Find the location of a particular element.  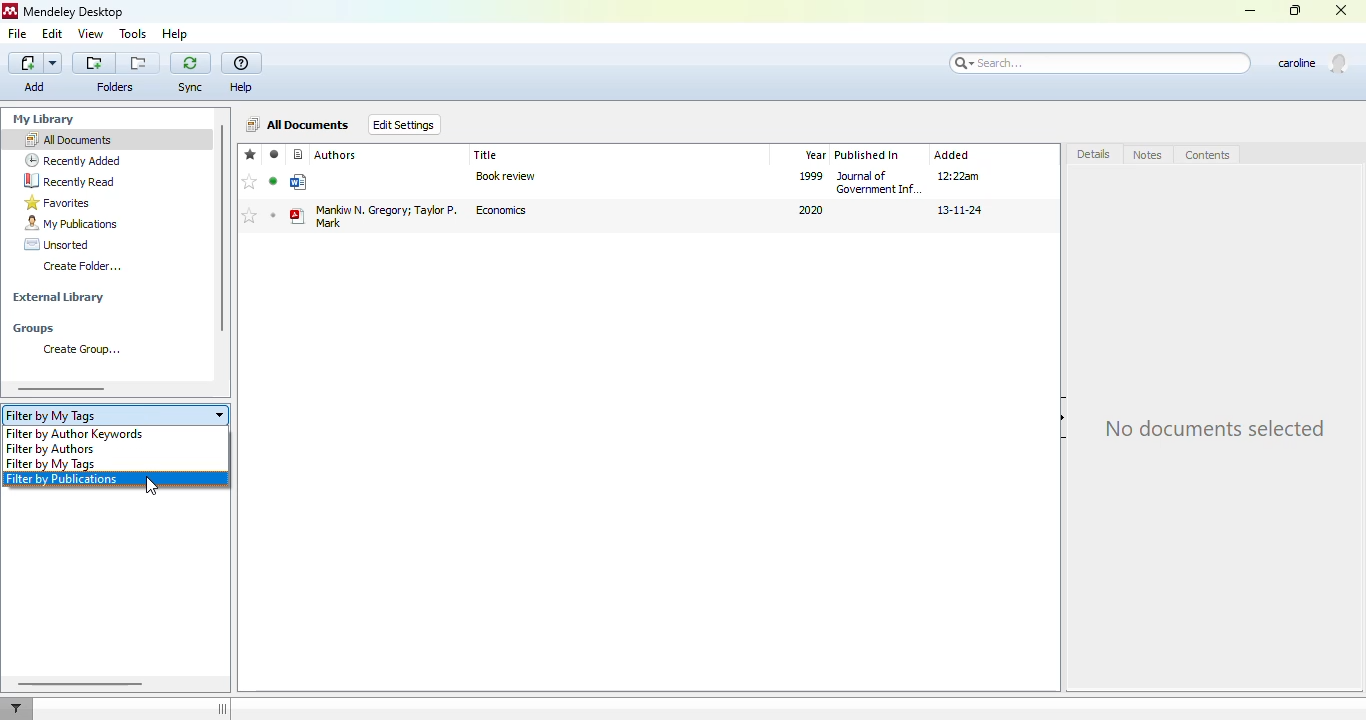

help is located at coordinates (241, 74).